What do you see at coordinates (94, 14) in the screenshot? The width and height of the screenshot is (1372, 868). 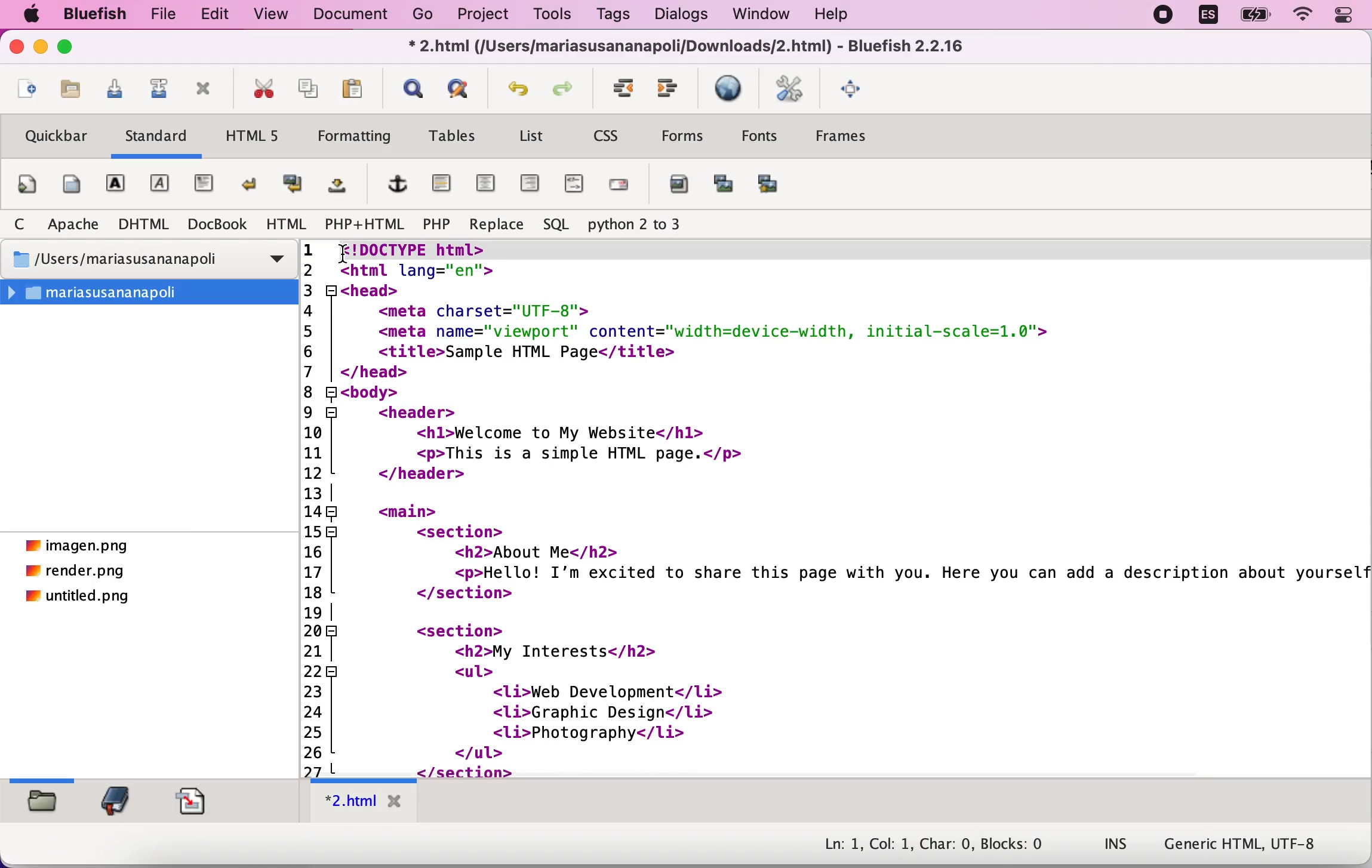 I see `bluefish` at bounding box center [94, 14].